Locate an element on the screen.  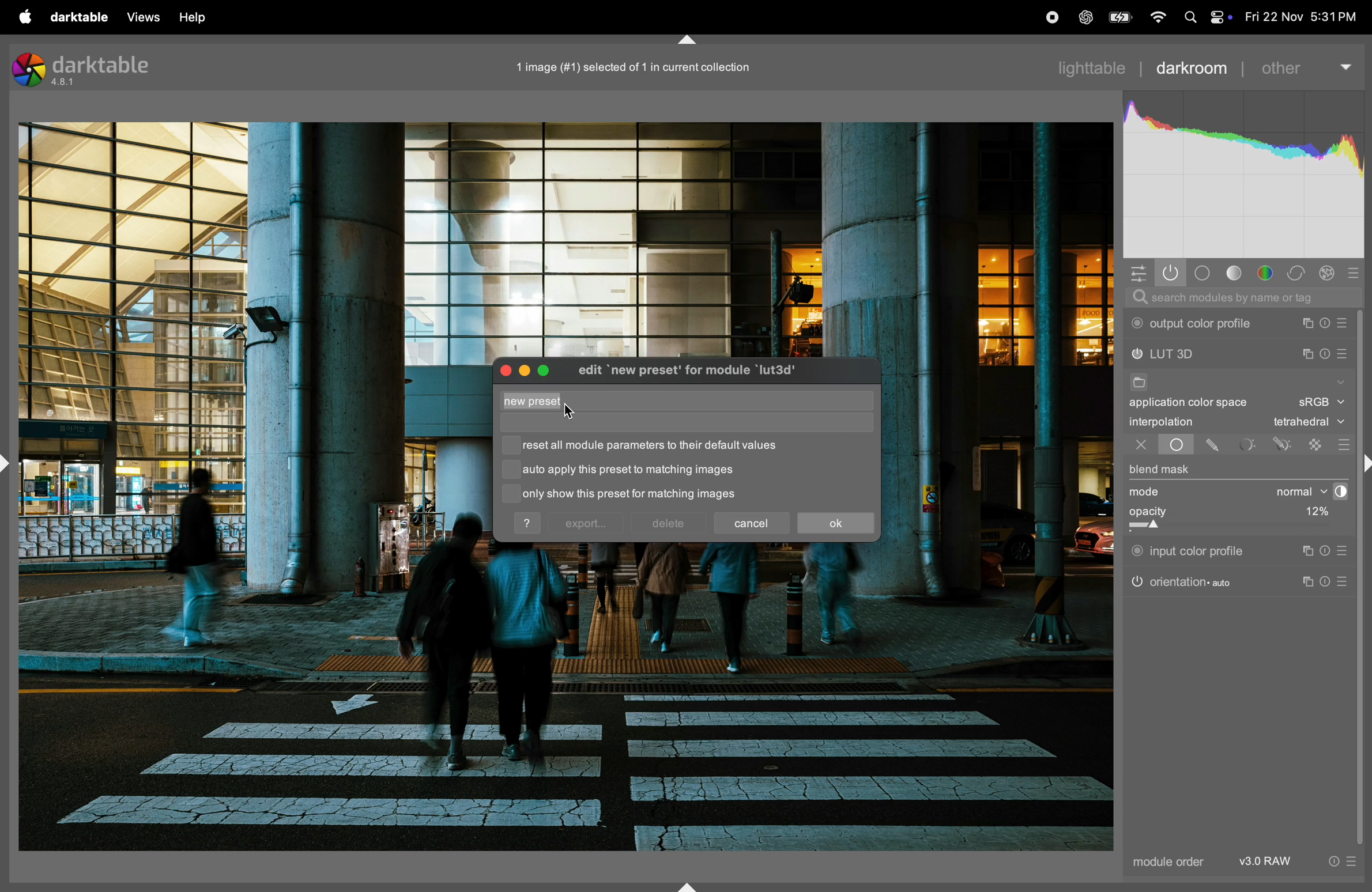
presets is located at coordinates (1359, 271).